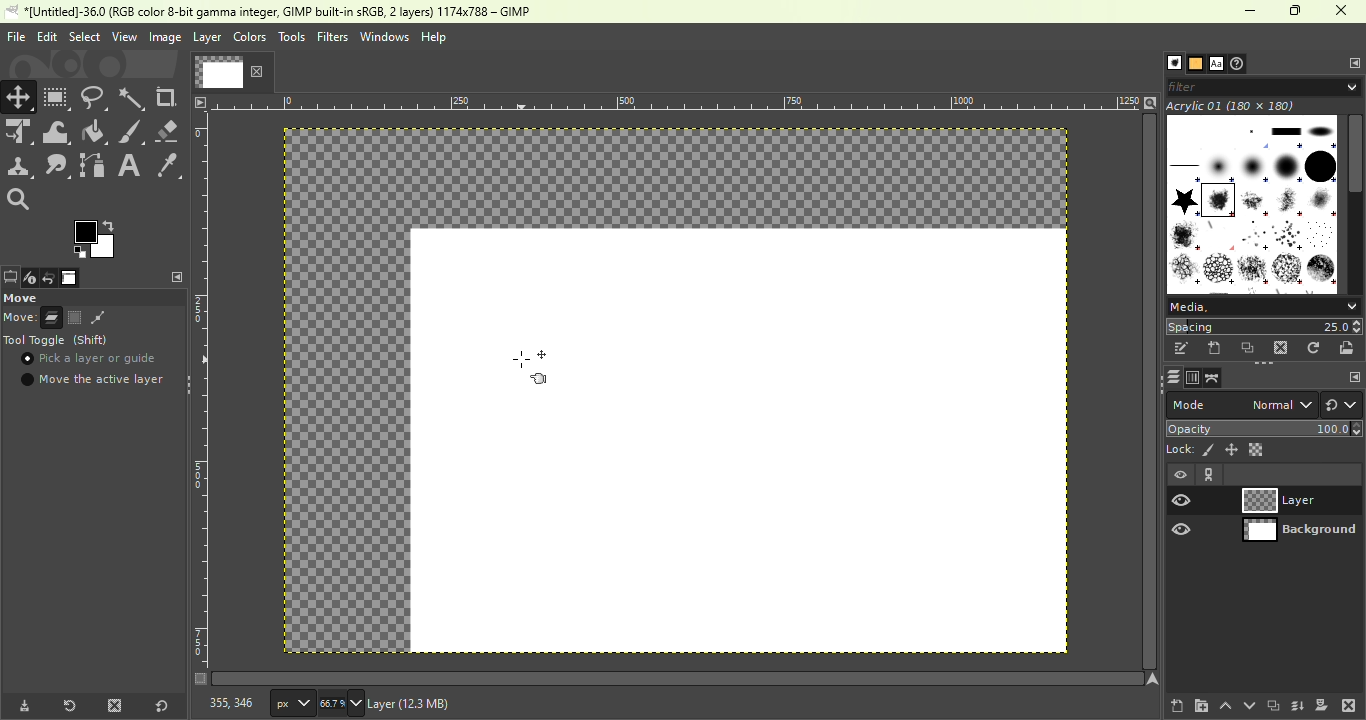 The width and height of the screenshot is (1366, 720). I want to click on Configure this tab, so click(1349, 376).